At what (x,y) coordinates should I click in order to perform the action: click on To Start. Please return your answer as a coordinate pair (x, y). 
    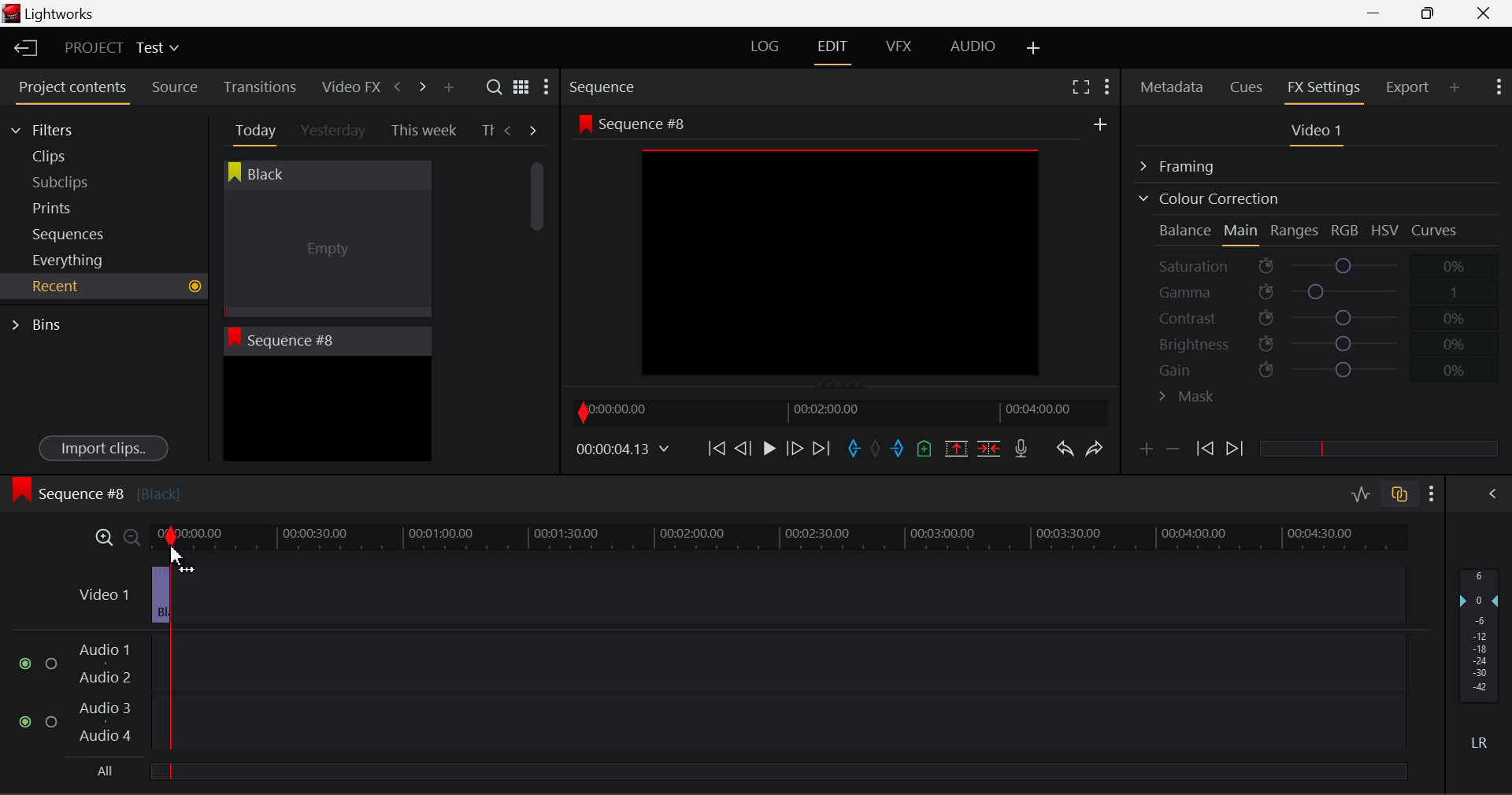
    Looking at the image, I should click on (715, 448).